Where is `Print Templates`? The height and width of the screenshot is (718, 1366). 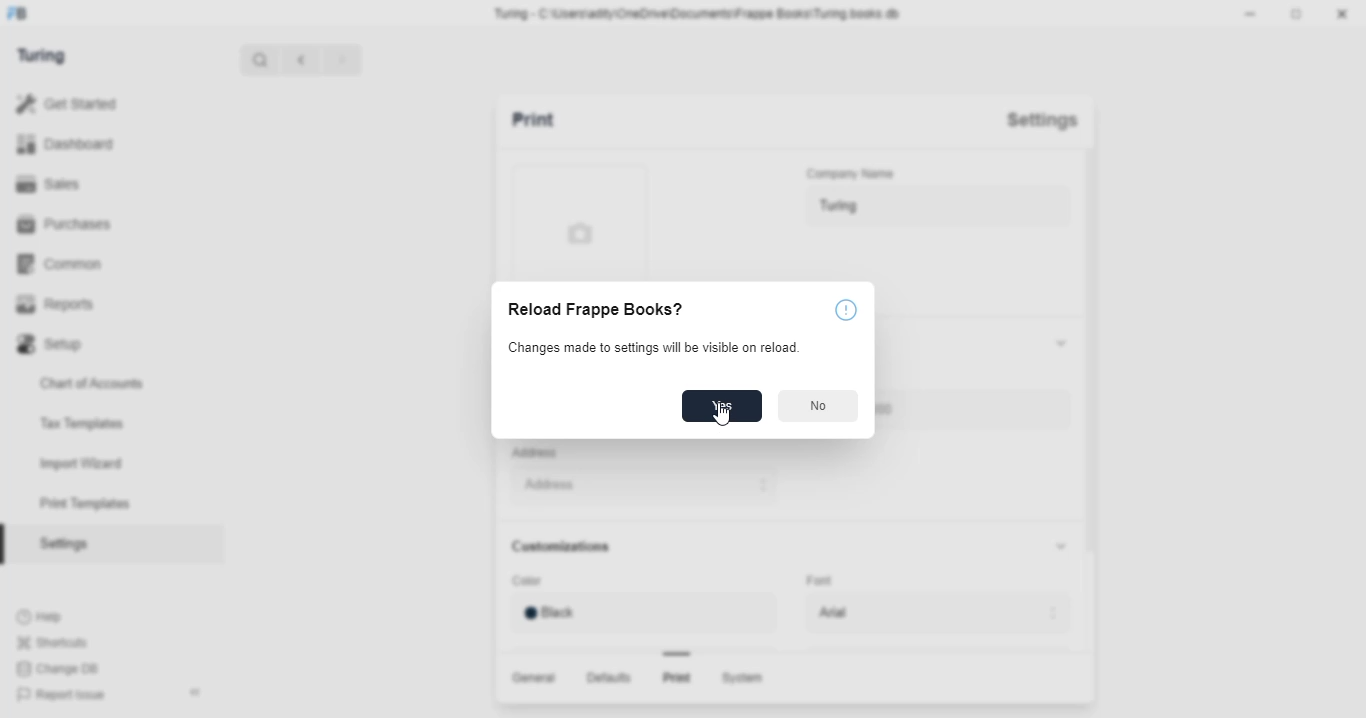
Print Templates is located at coordinates (106, 503).